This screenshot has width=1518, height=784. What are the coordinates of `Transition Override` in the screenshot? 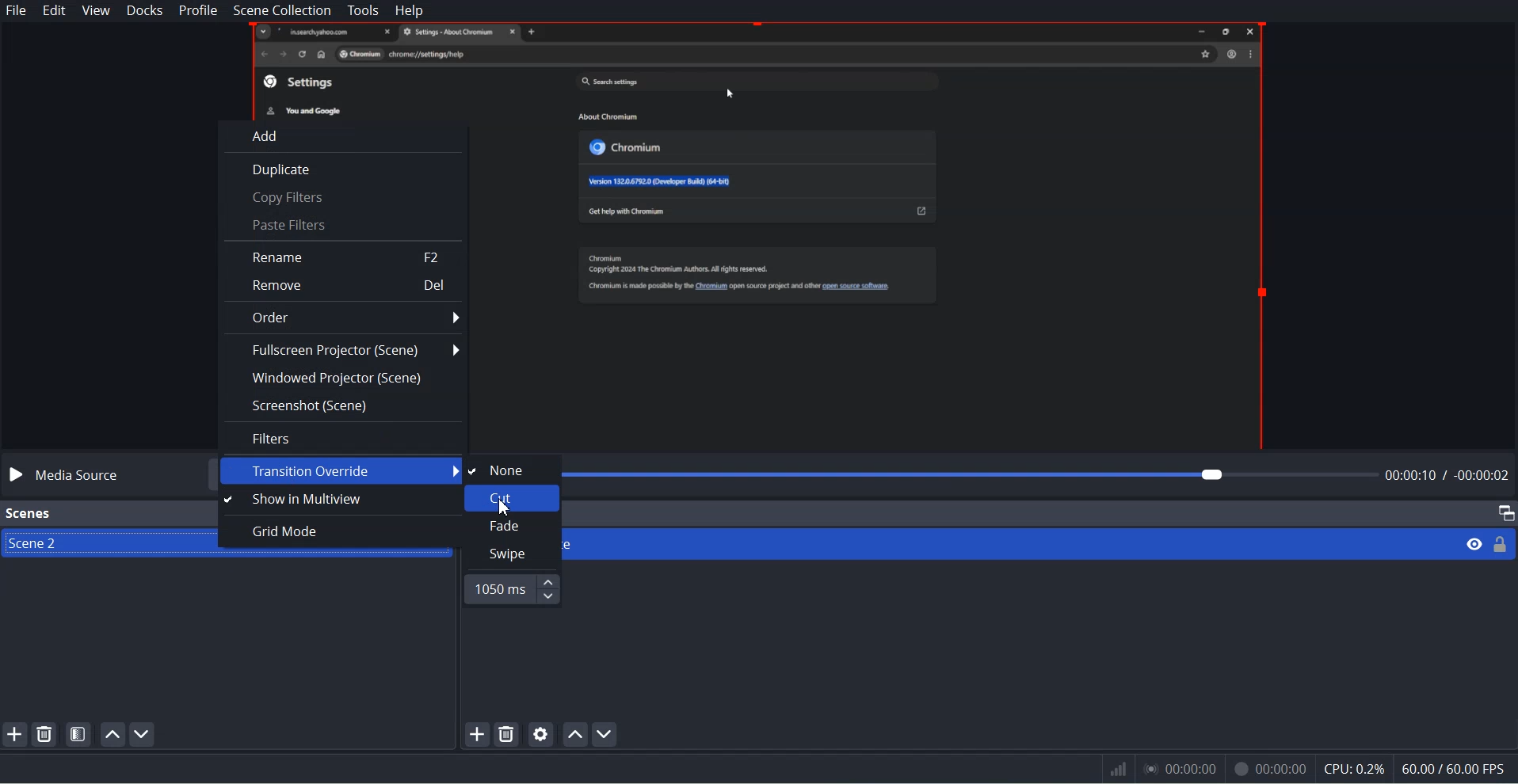 It's located at (339, 470).